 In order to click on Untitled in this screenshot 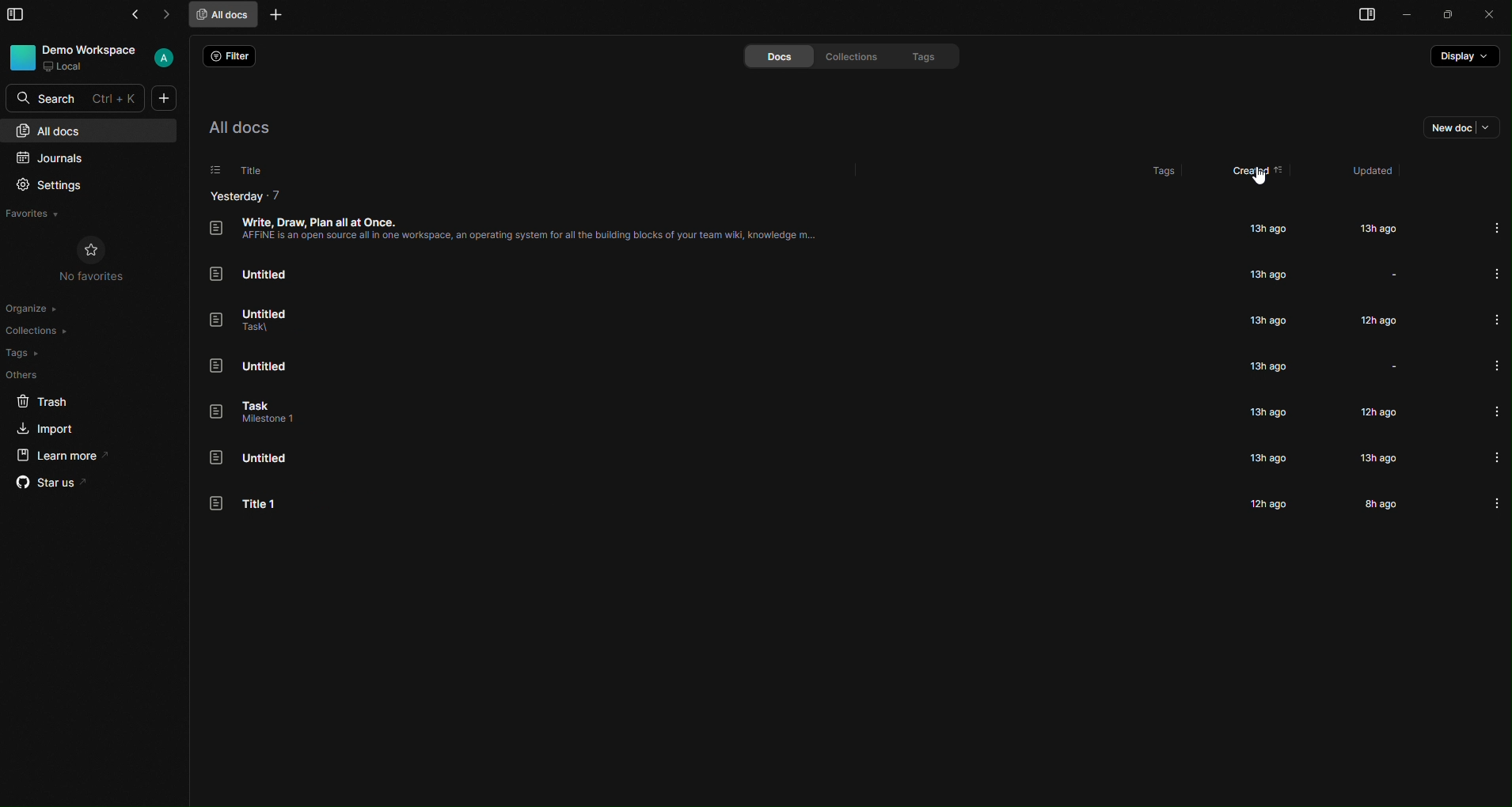, I will do `click(253, 366)`.